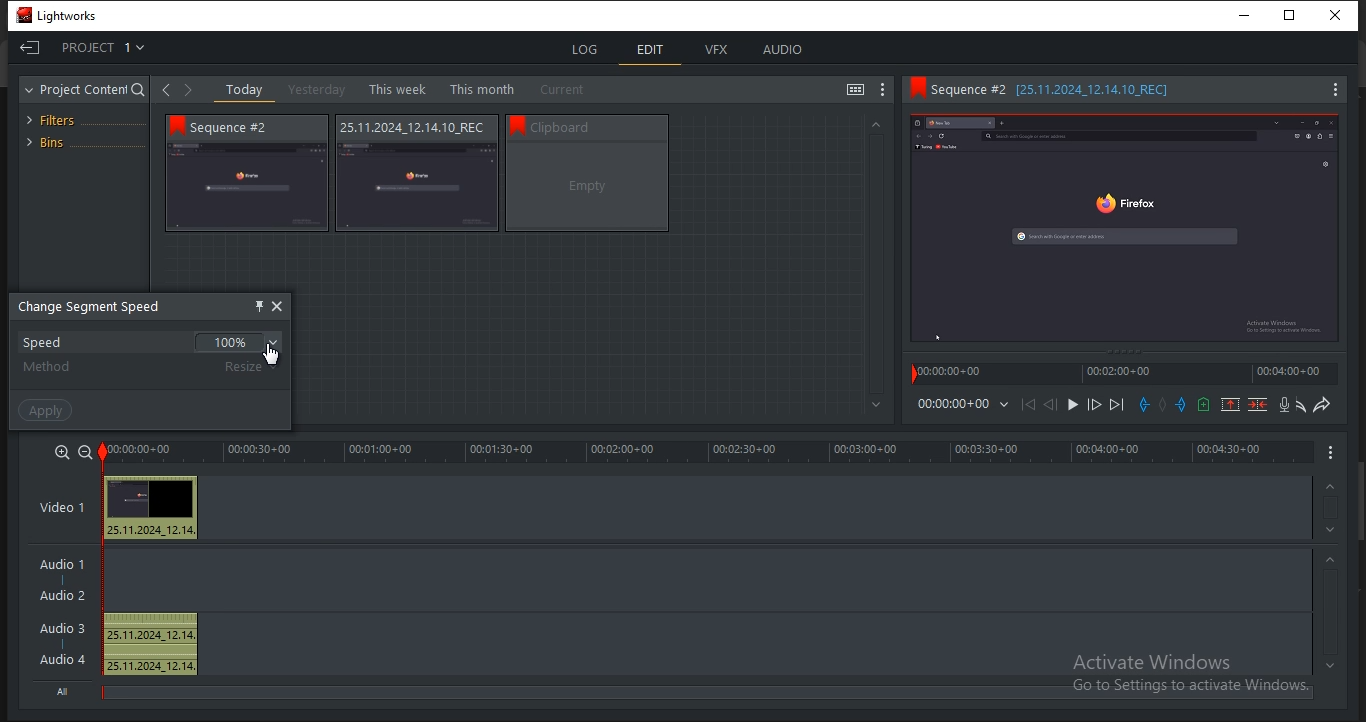  Describe the element at coordinates (1025, 405) in the screenshot. I see `move backward` at that location.